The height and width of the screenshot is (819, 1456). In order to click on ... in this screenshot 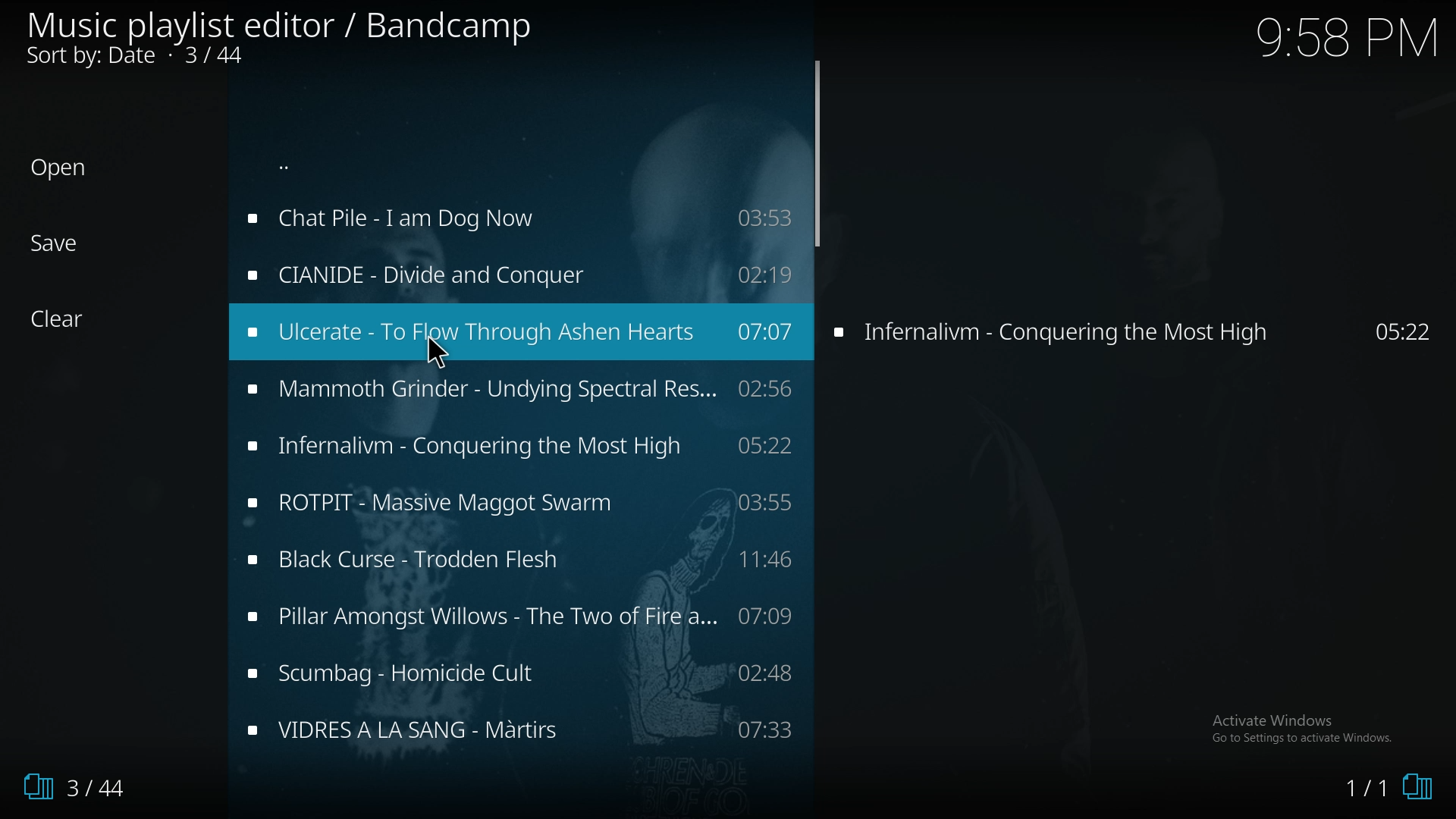, I will do `click(294, 160)`.